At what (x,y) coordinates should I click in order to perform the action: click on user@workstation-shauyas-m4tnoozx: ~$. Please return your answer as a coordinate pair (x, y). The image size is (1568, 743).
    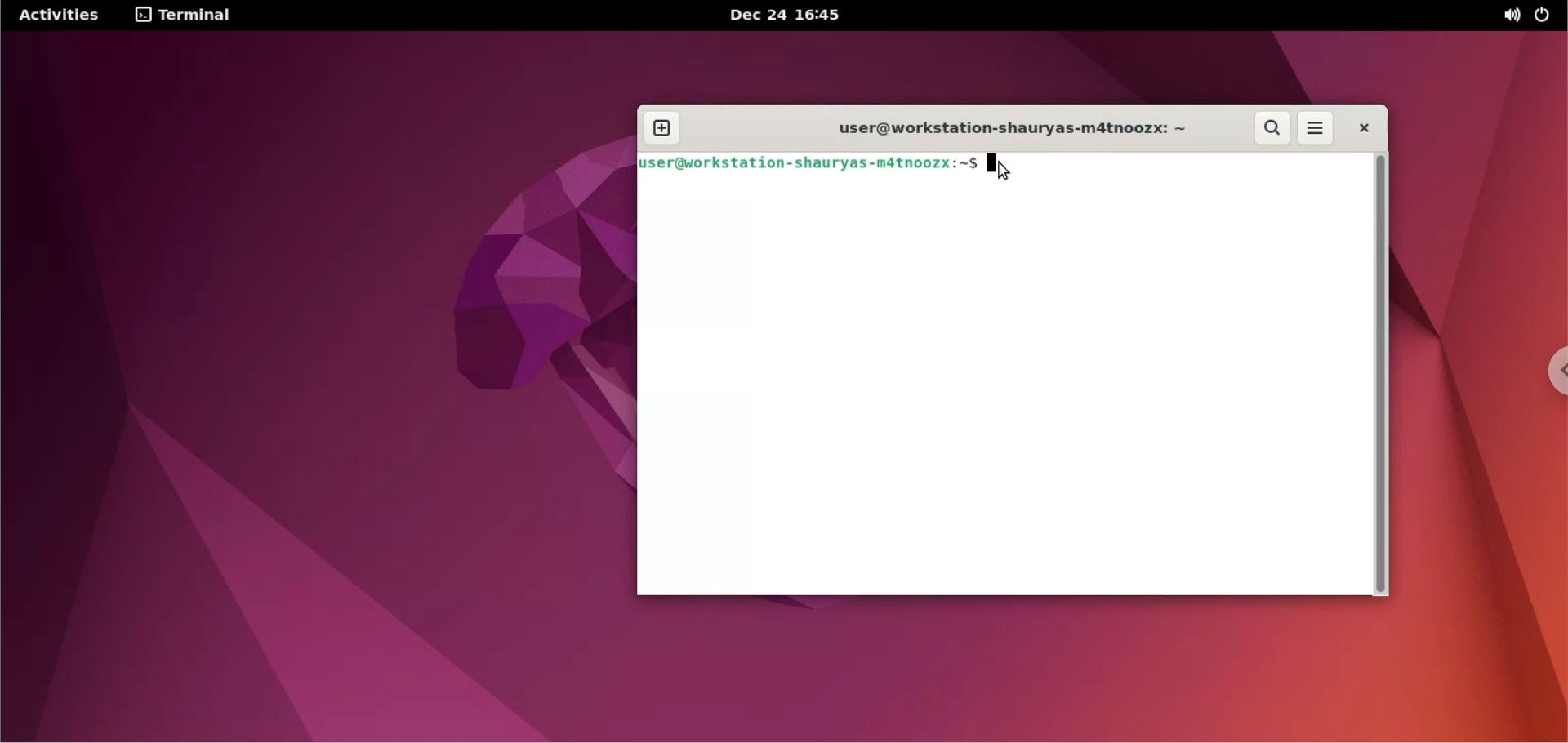
    Looking at the image, I should click on (809, 165).